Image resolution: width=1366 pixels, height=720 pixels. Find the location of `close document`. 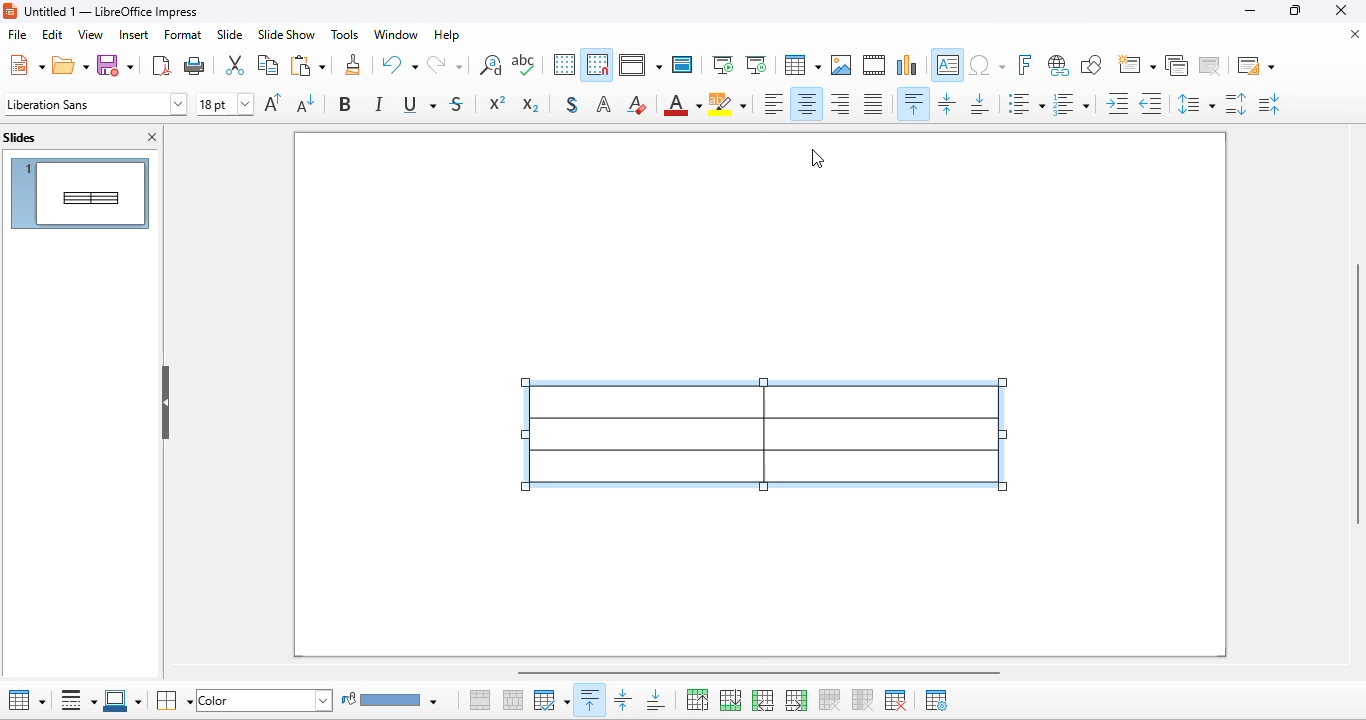

close document is located at coordinates (1355, 34).